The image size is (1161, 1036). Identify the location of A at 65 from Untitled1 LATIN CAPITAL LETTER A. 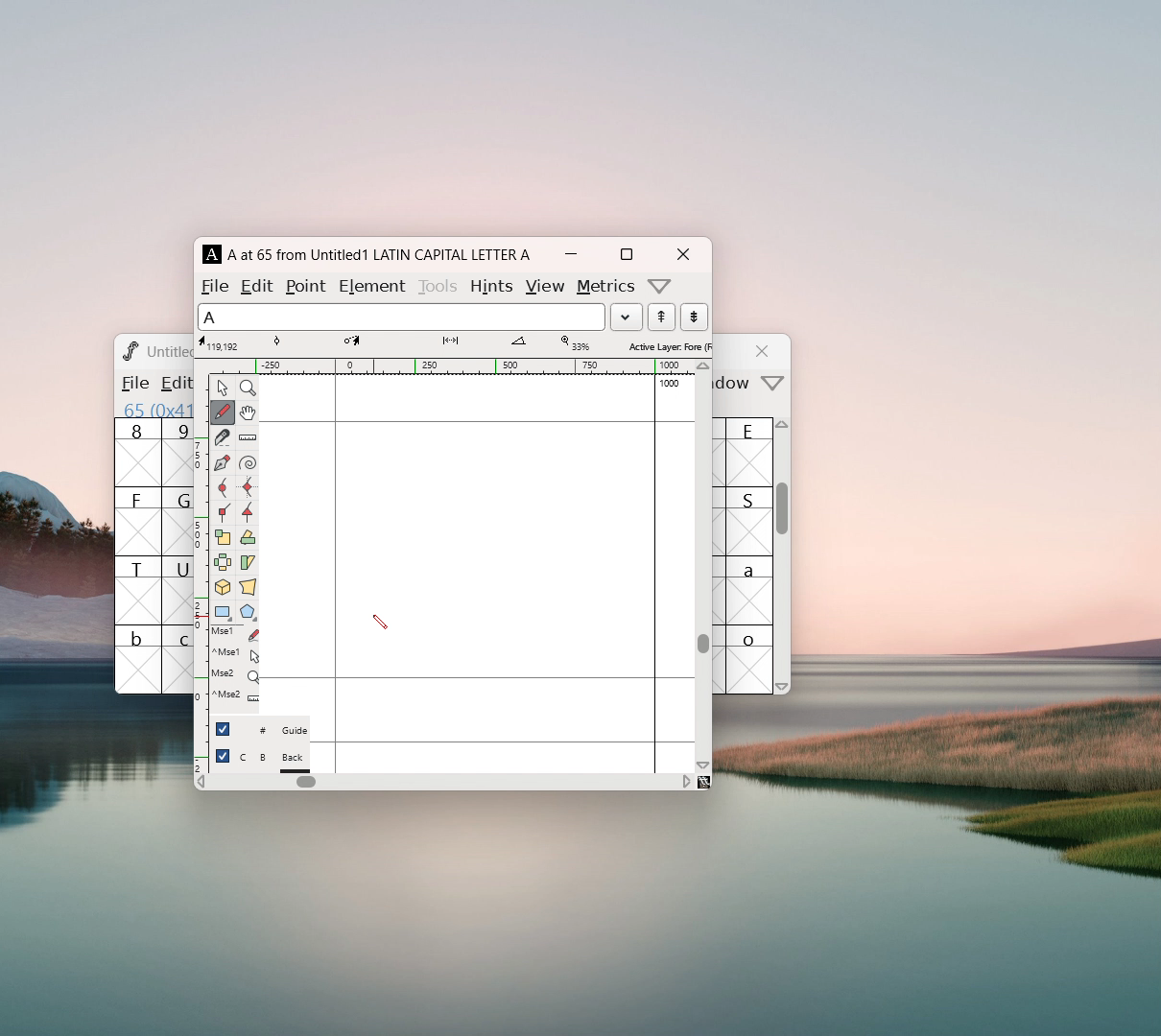
(379, 254).